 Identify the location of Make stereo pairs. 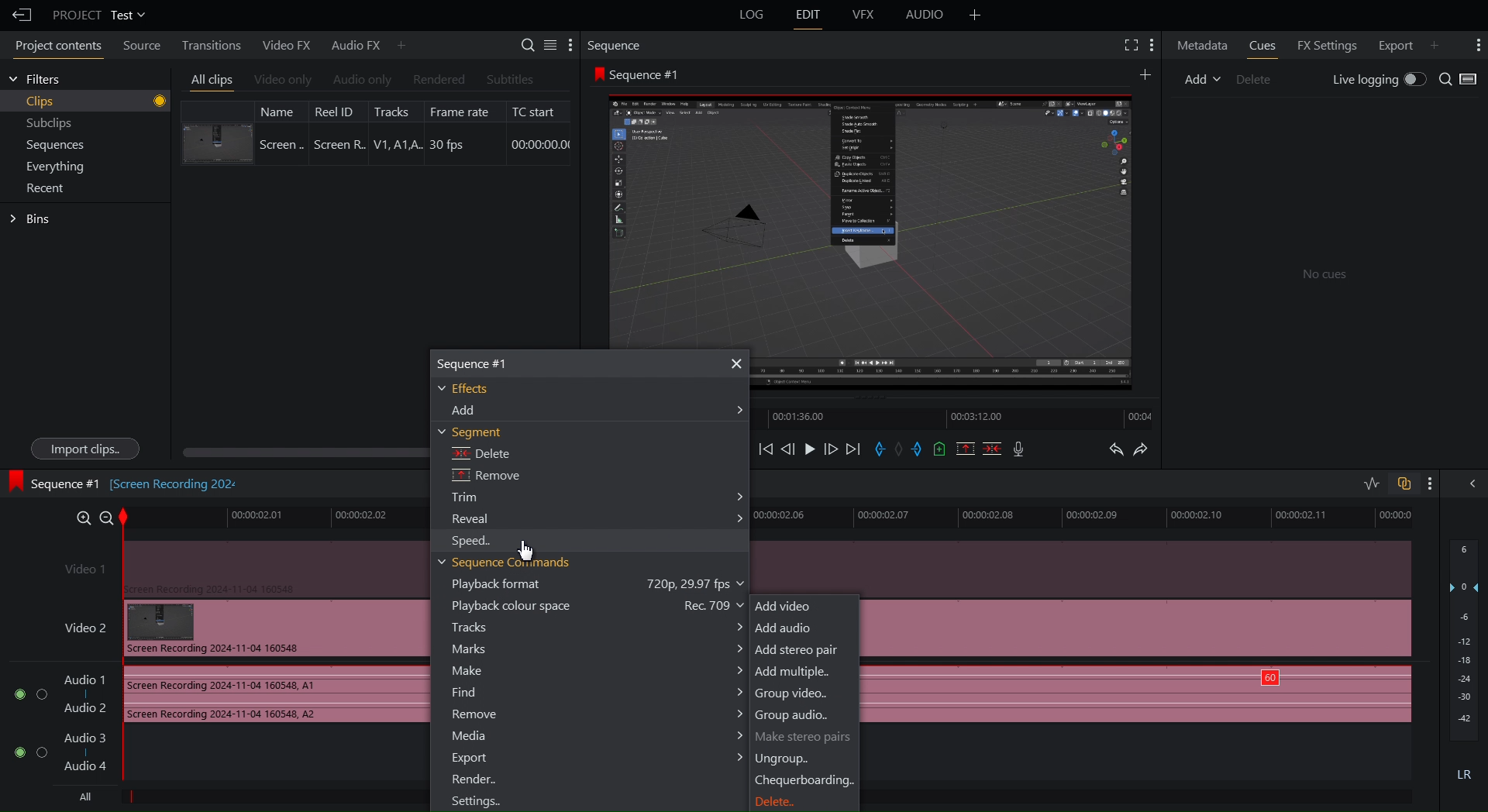
(804, 737).